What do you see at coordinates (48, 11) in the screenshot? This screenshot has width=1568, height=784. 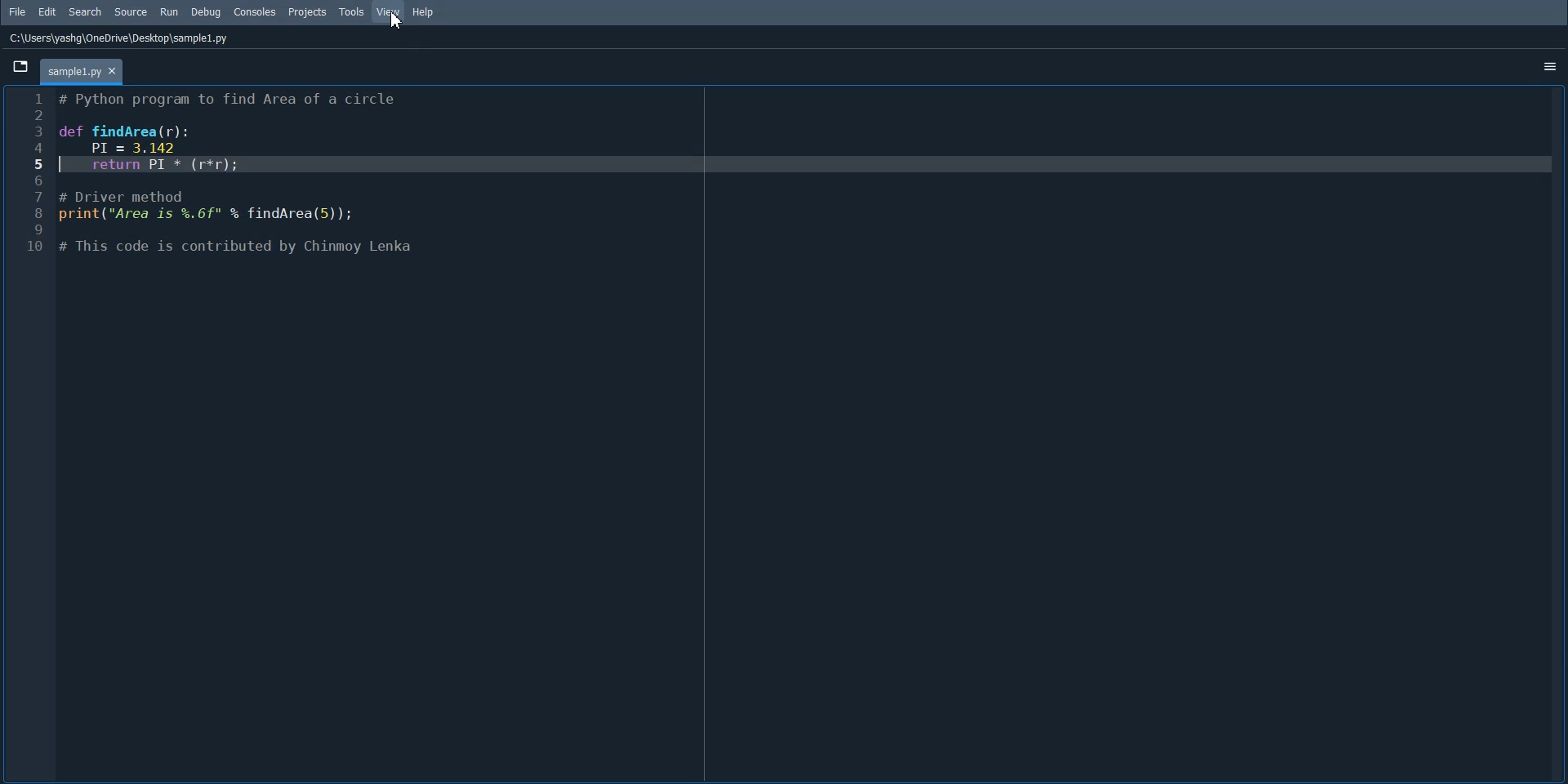 I see `Edit` at bounding box center [48, 11].